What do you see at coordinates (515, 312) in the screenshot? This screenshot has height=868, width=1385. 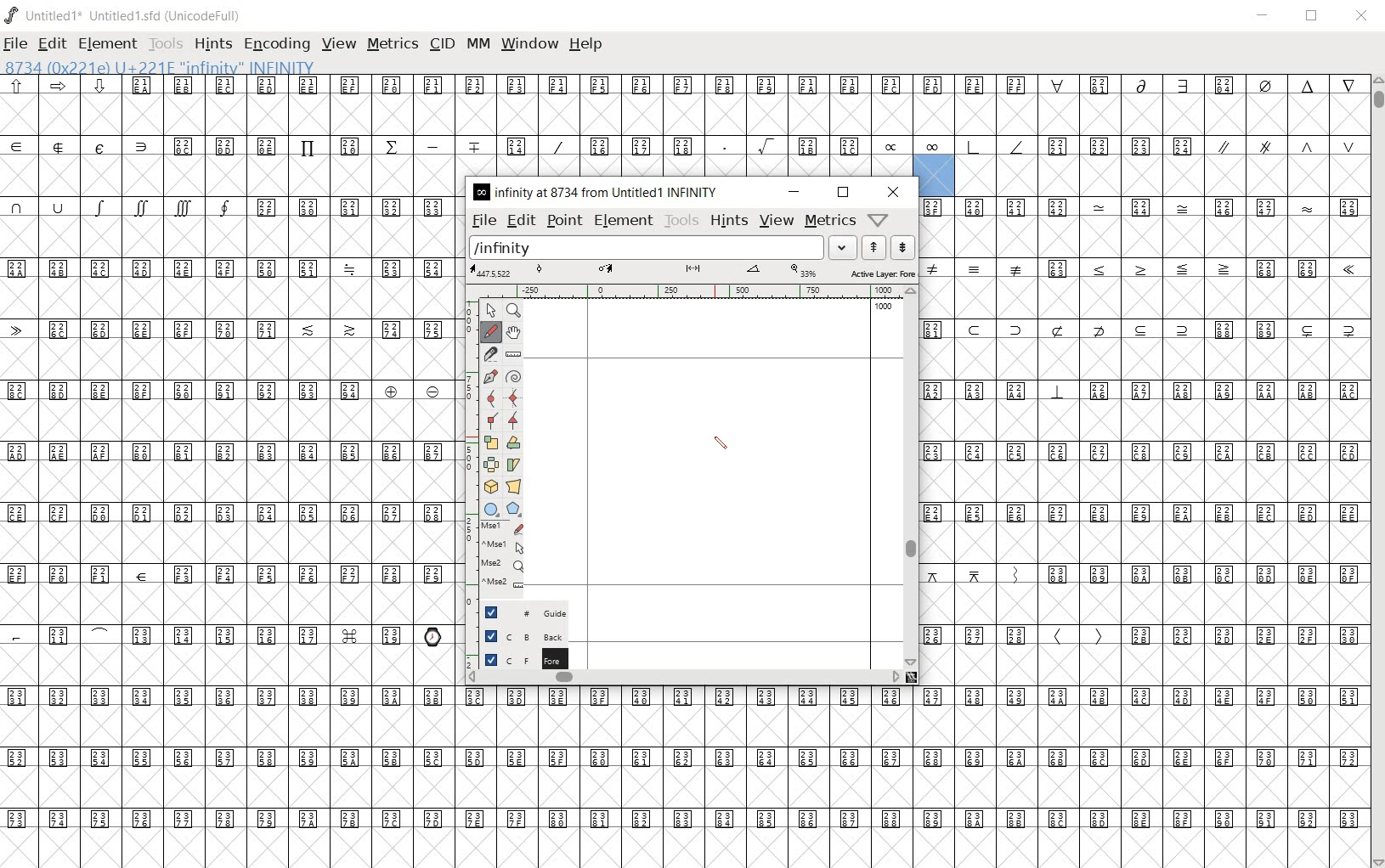 I see `MAGNIFY` at bounding box center [515, 312].